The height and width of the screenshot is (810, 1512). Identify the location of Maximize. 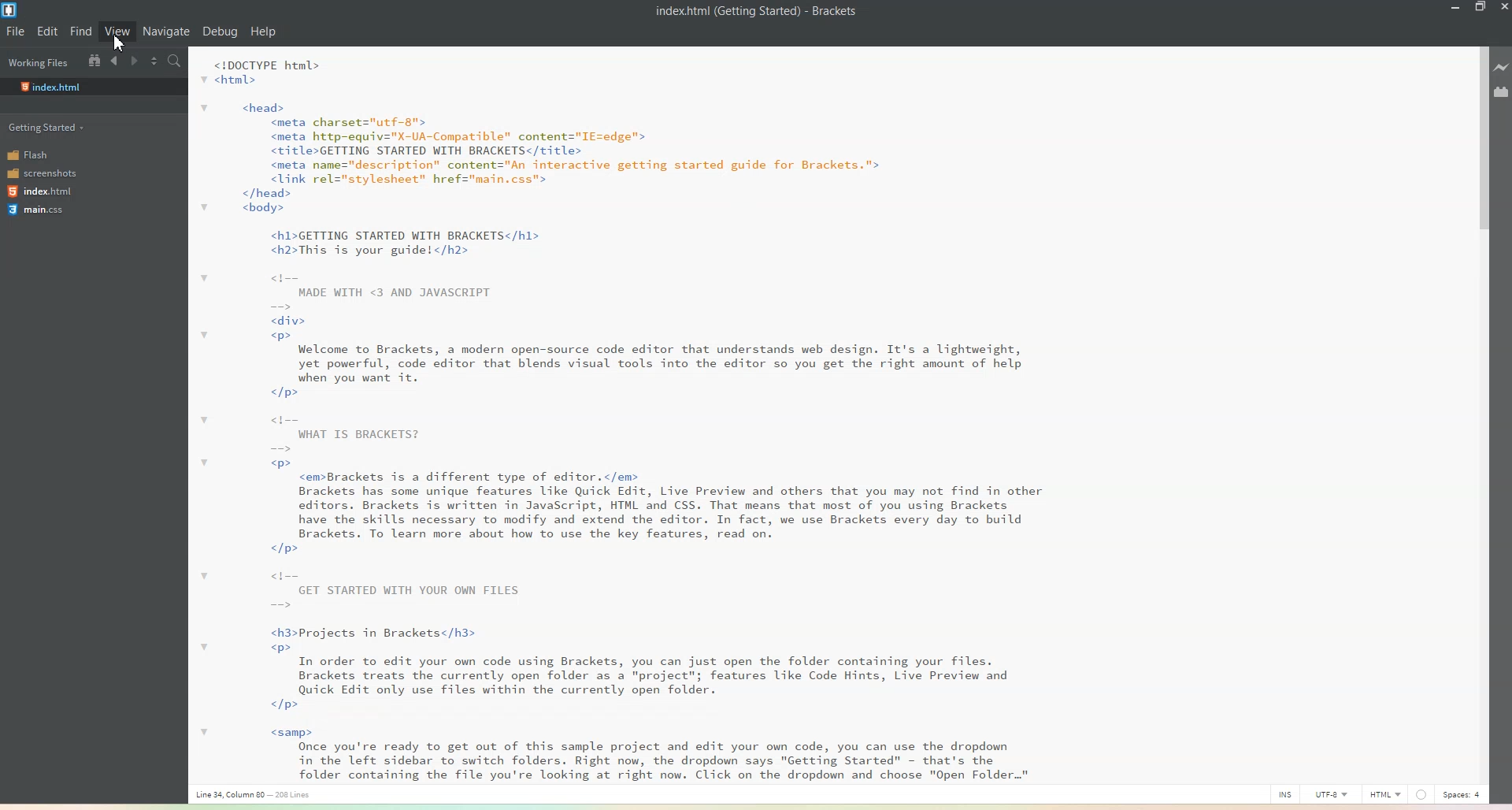
(1480, 8).